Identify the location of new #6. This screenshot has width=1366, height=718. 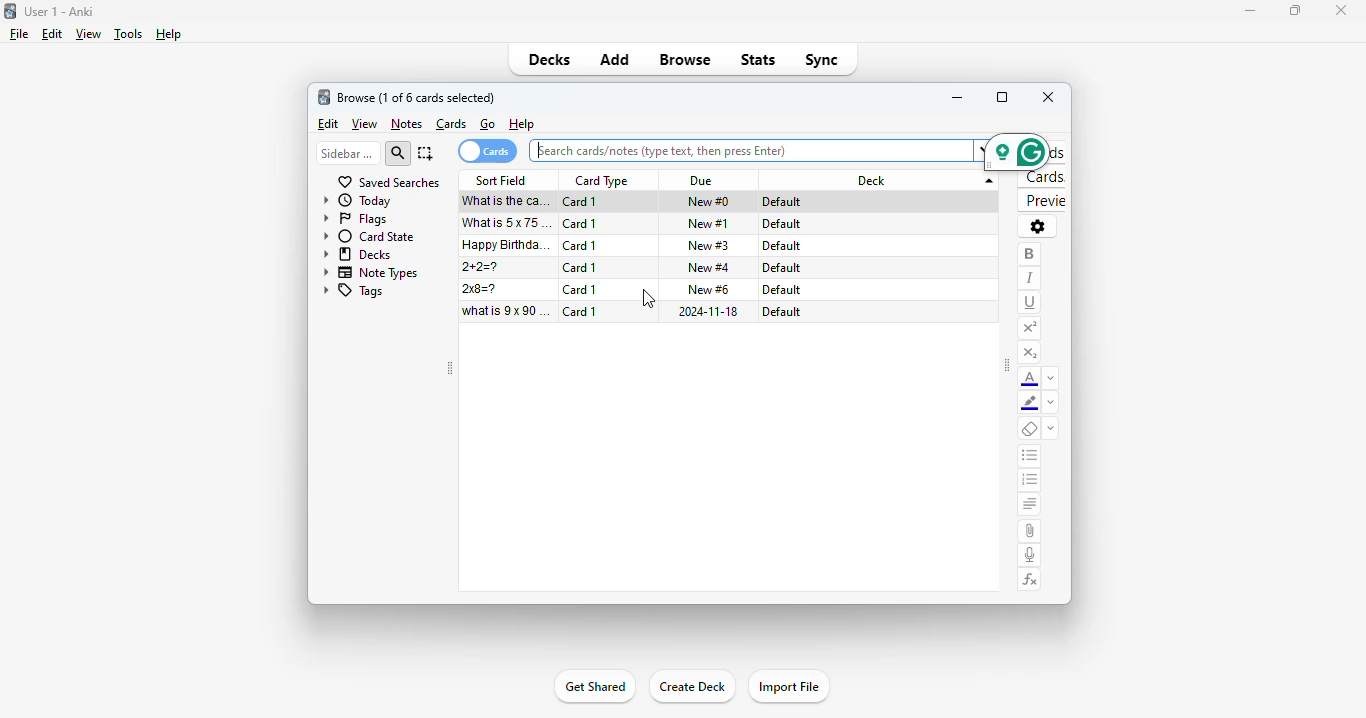
(709, 289).